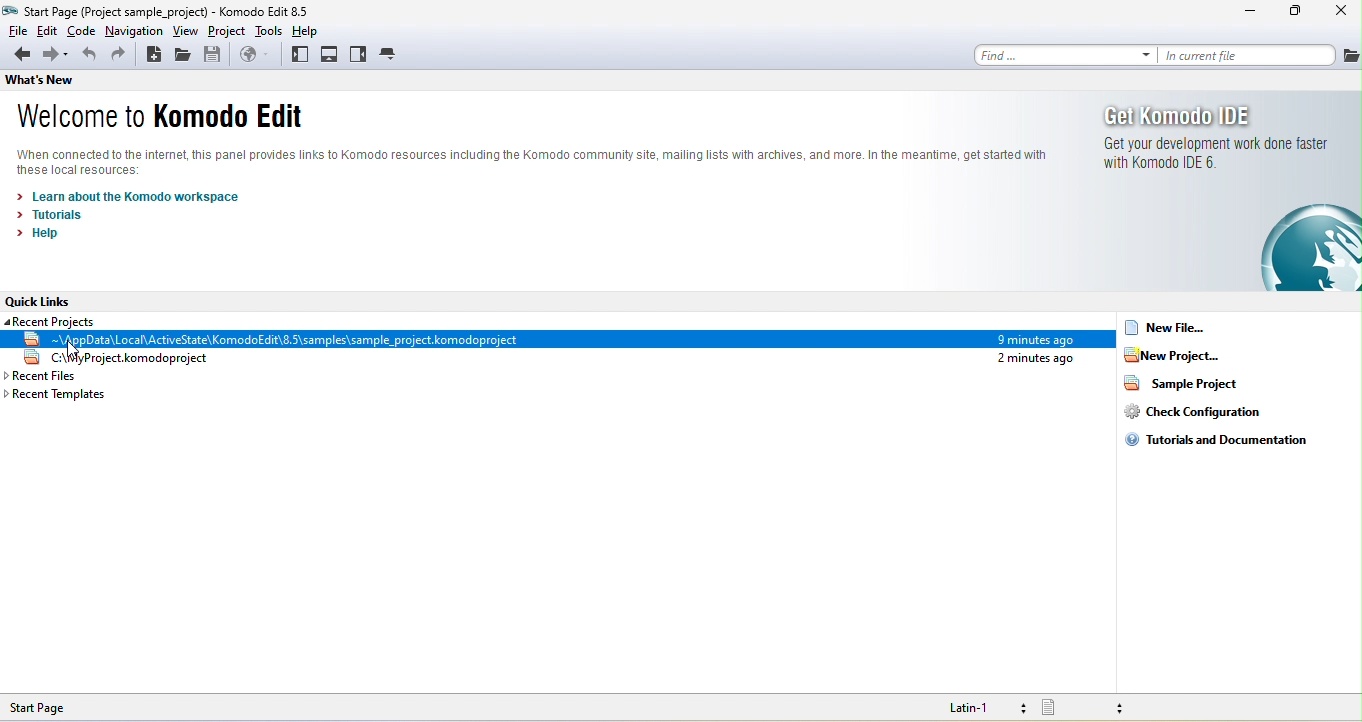  What do you see at coordinates (157, 11) in the screenshot?
I see `title` at bounding box center [157, 11].